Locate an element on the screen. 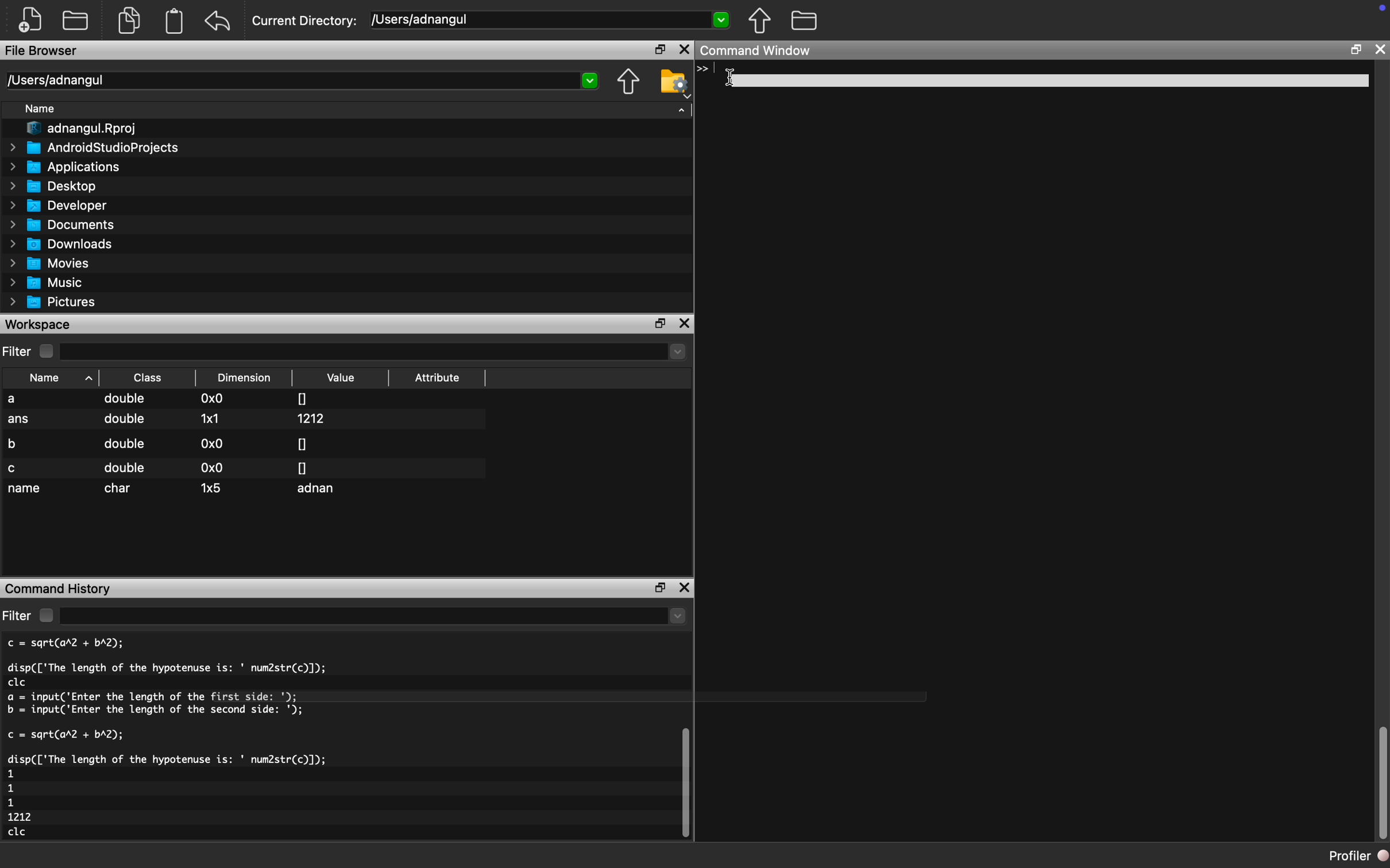  0x0 is located at coordinates (210, 468).